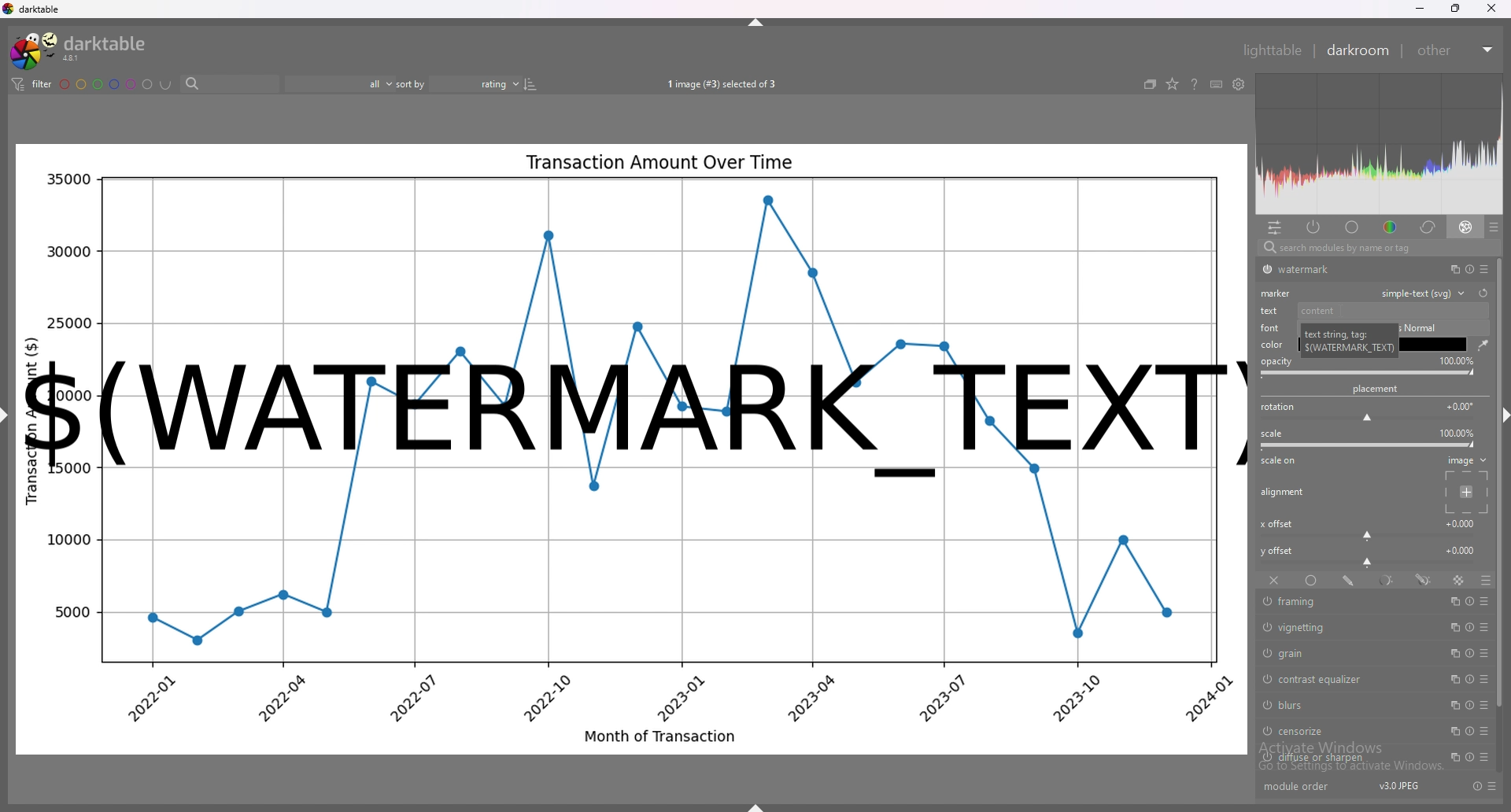 This screenshot has height=812, width=1511. Describe the element at coordinates (1461, 549) in the screenshot. I see `y offset` at that location.